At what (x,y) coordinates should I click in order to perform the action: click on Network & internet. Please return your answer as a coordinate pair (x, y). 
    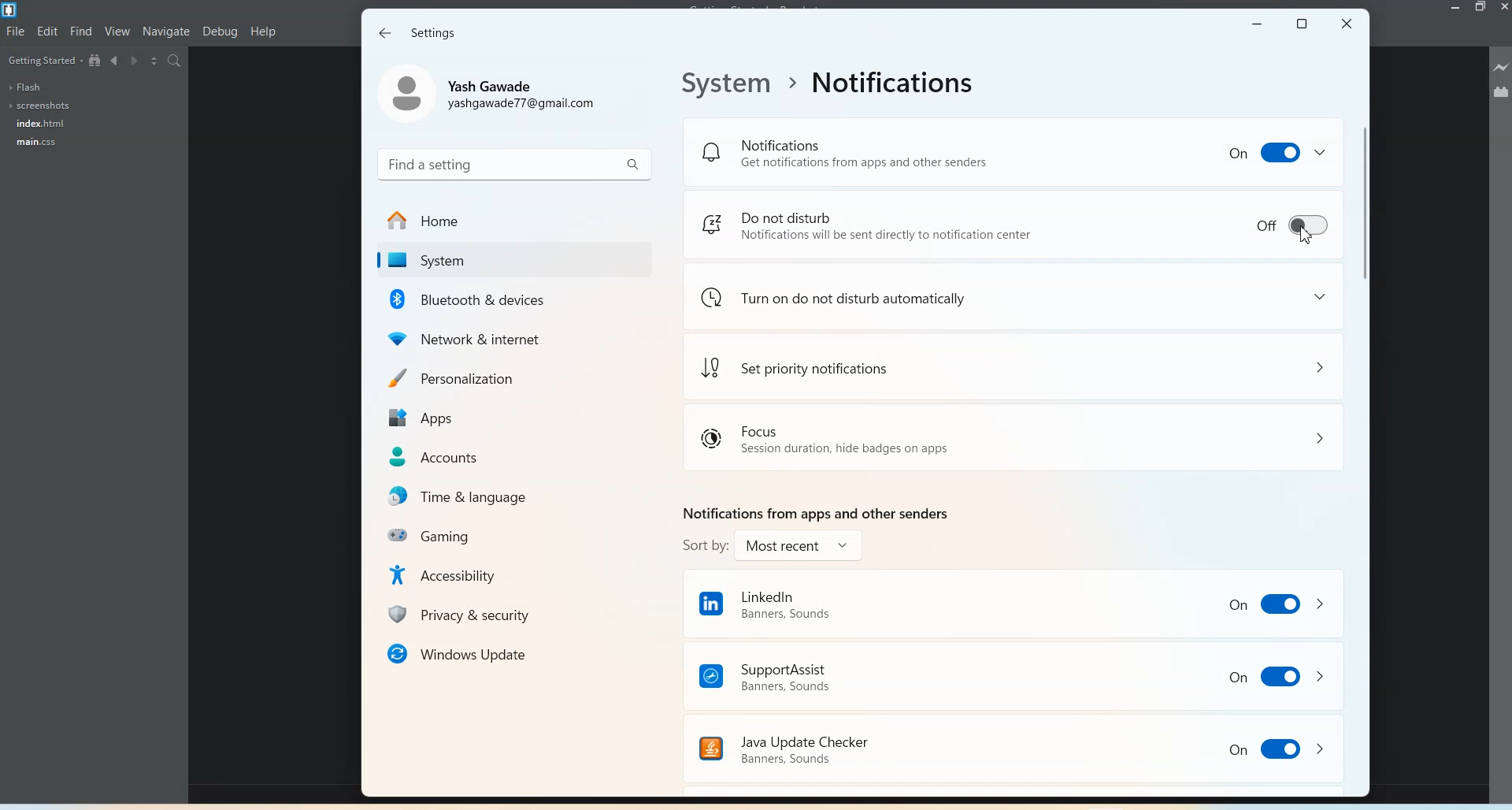
    Looking at the image, I should click on (507, 337).